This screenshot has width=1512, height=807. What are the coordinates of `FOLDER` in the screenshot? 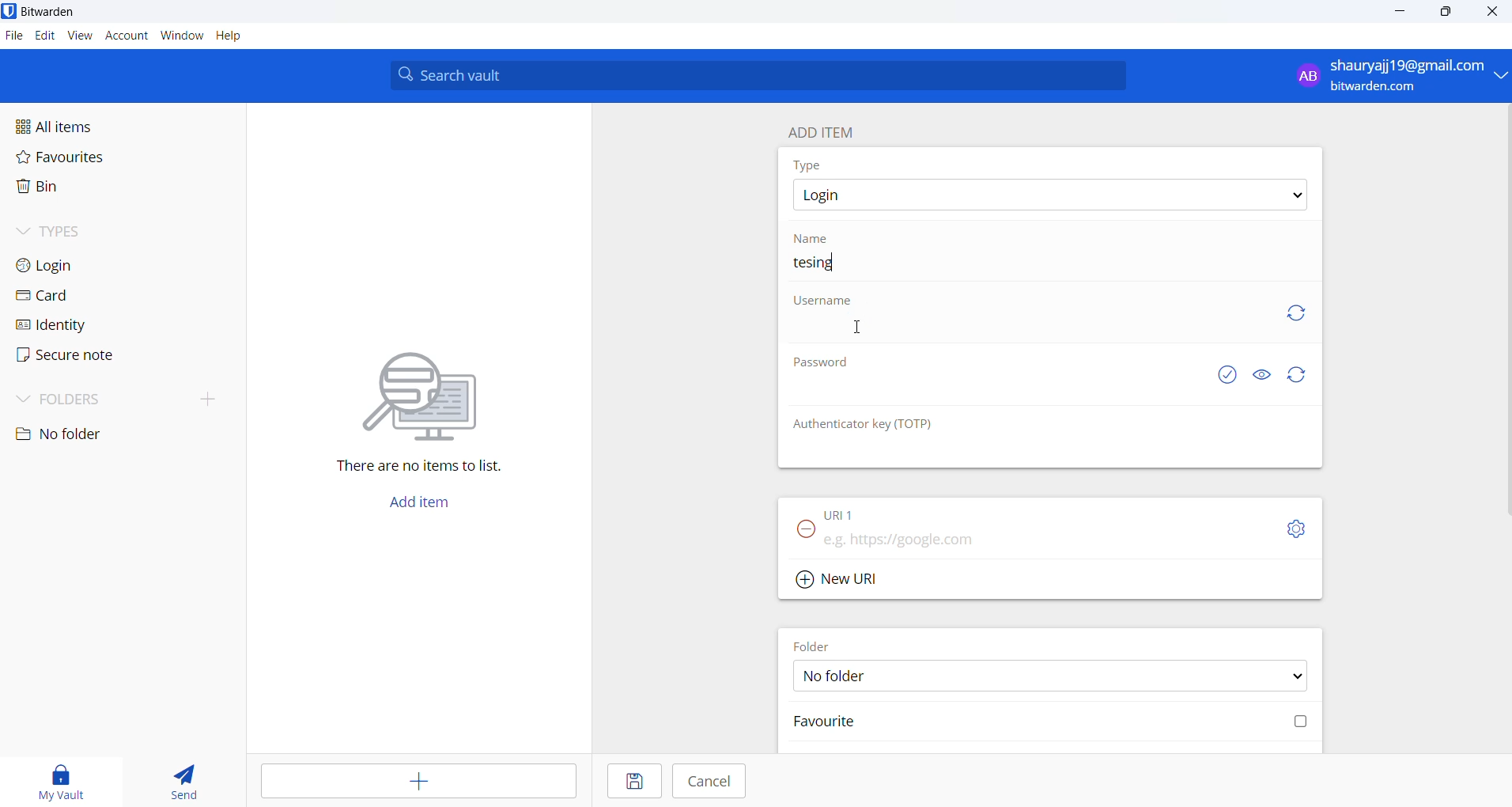 It's located at (813, 645).